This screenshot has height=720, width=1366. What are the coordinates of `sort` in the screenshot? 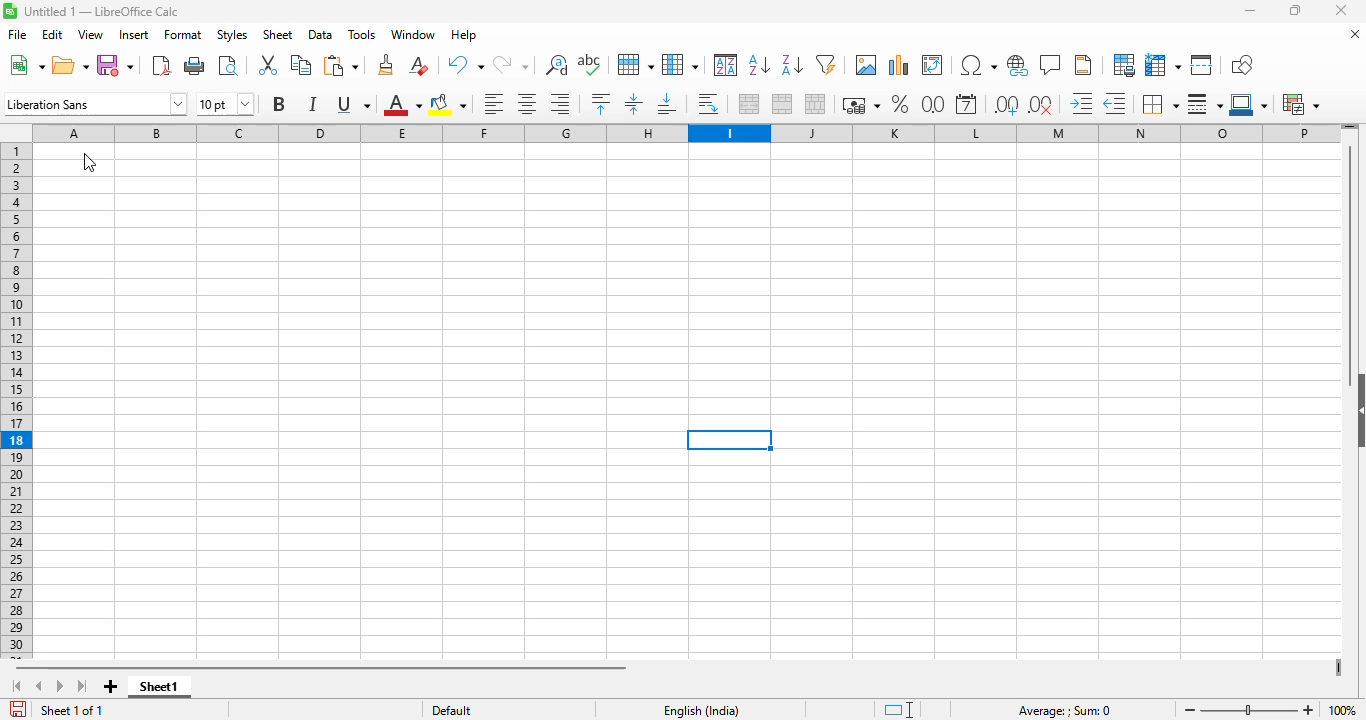 It's located at (727, 65).